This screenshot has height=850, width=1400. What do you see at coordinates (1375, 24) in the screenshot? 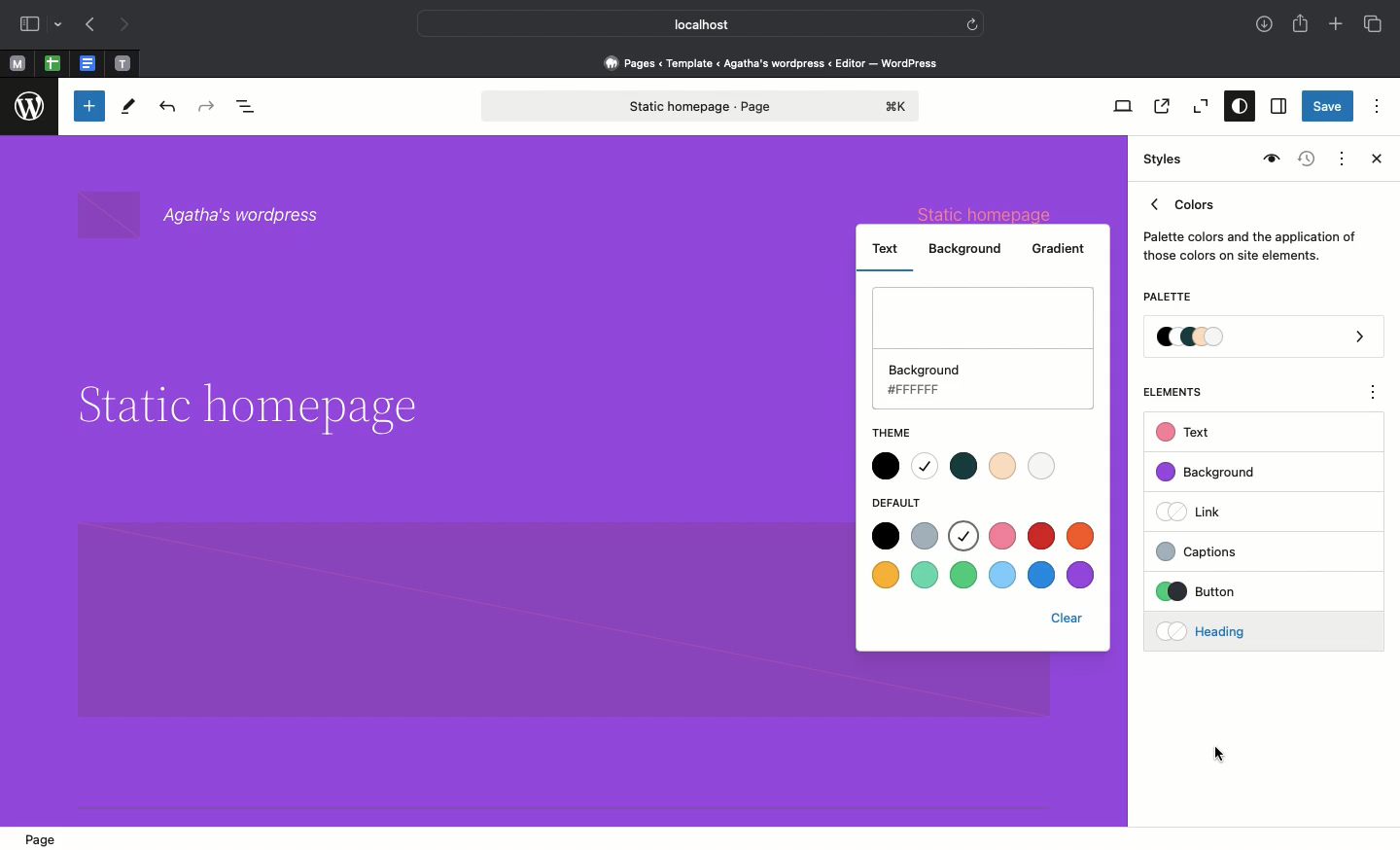
I see `Tabs` at bounding box center [1375, 24].